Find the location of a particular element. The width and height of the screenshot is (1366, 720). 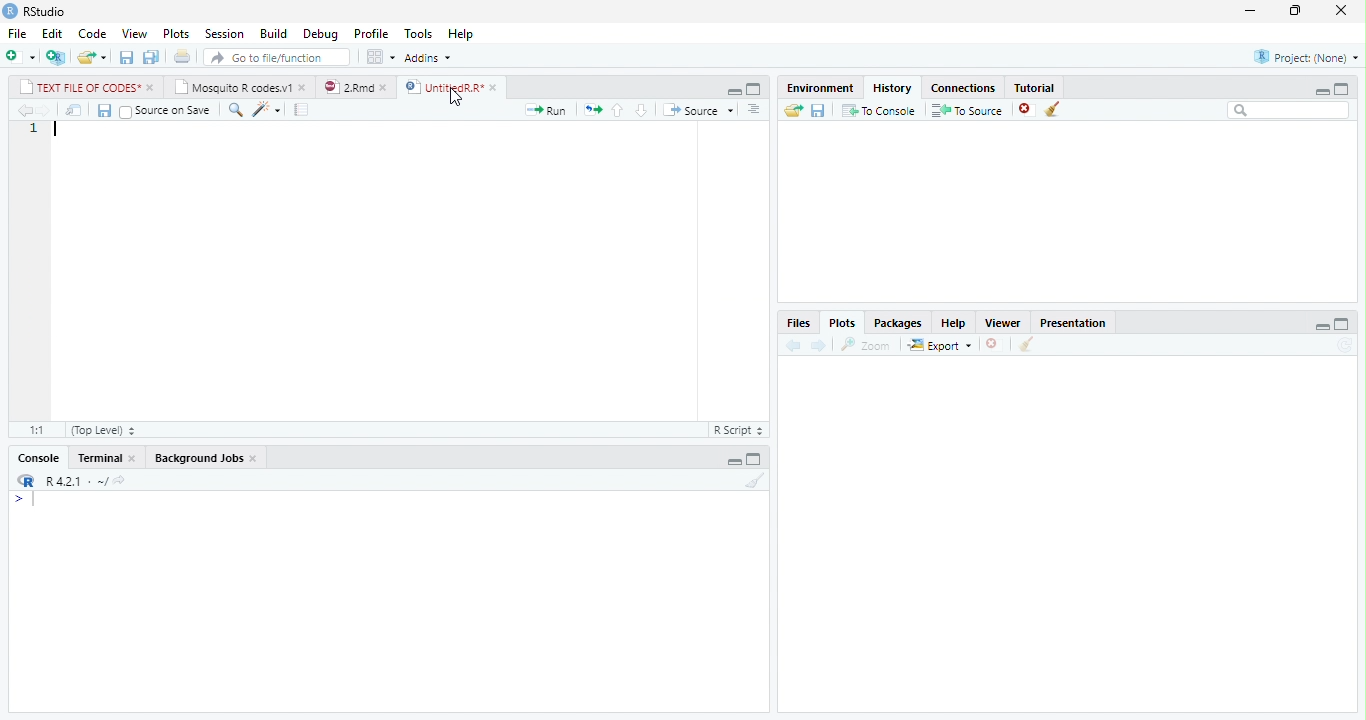

Plots is located at coordinates (842, 323).